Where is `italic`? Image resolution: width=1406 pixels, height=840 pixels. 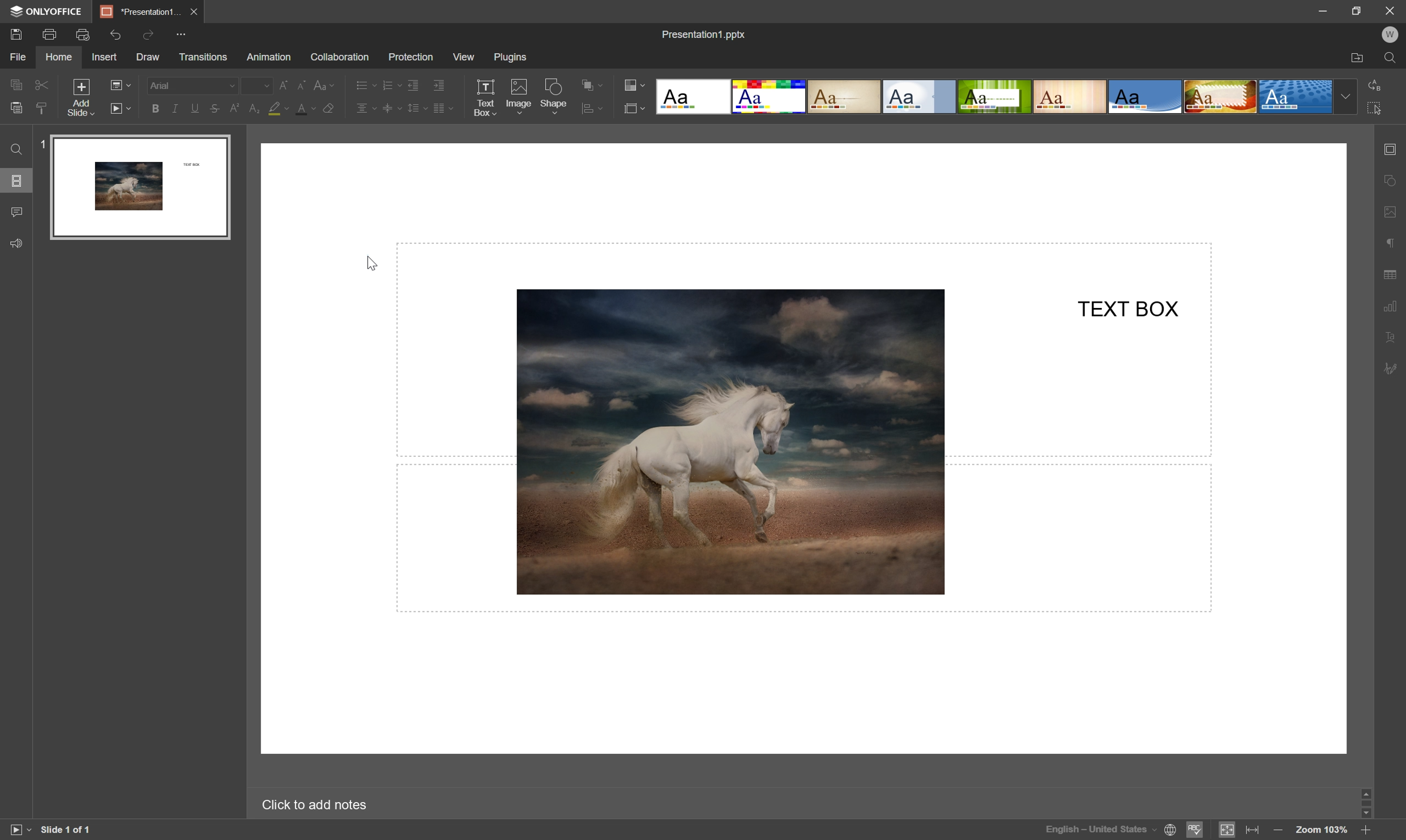
italic is located at coordinates (175, 108).